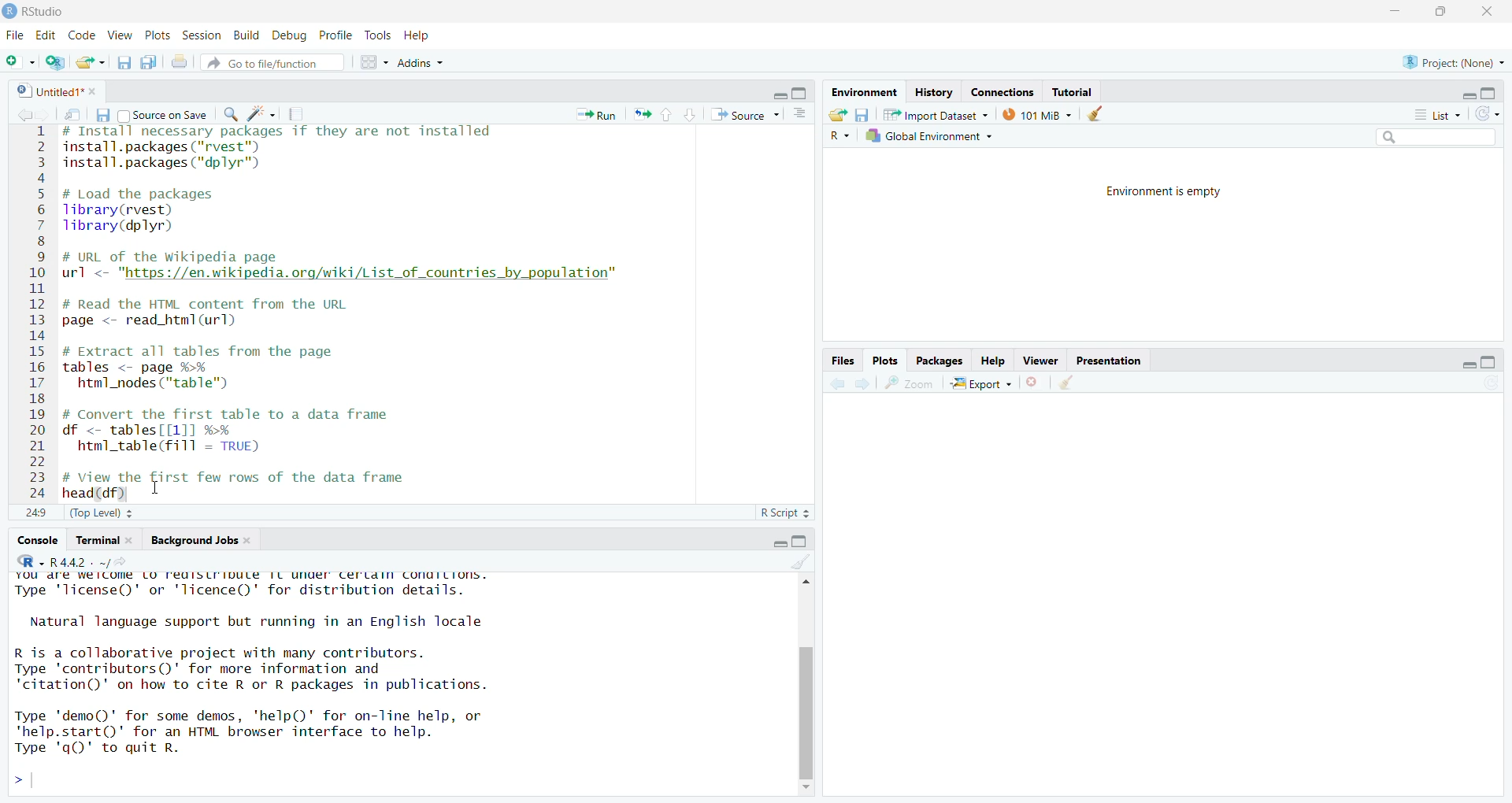 This screenshot has width=1512, height=803. Describe the element at coordinates (193, 540) in the screenshot. I see `Background Jobs` at that location.